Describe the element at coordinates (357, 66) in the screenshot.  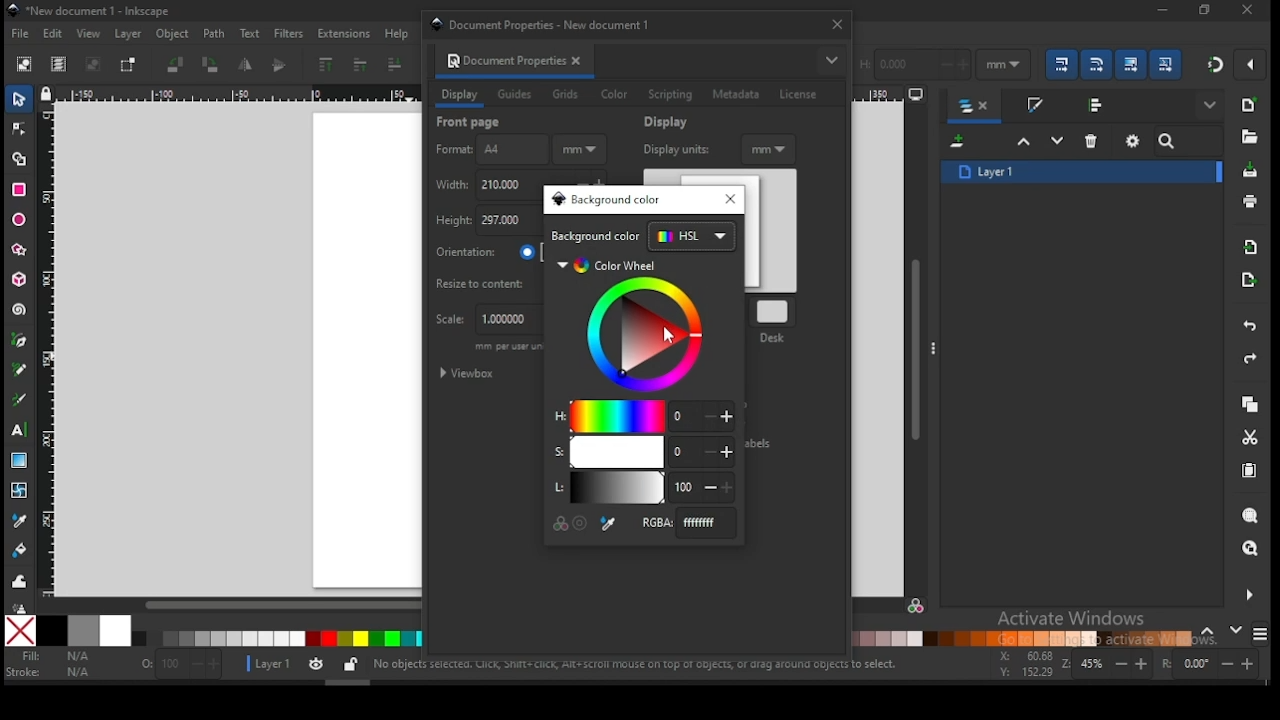
I see `raise` at that location.